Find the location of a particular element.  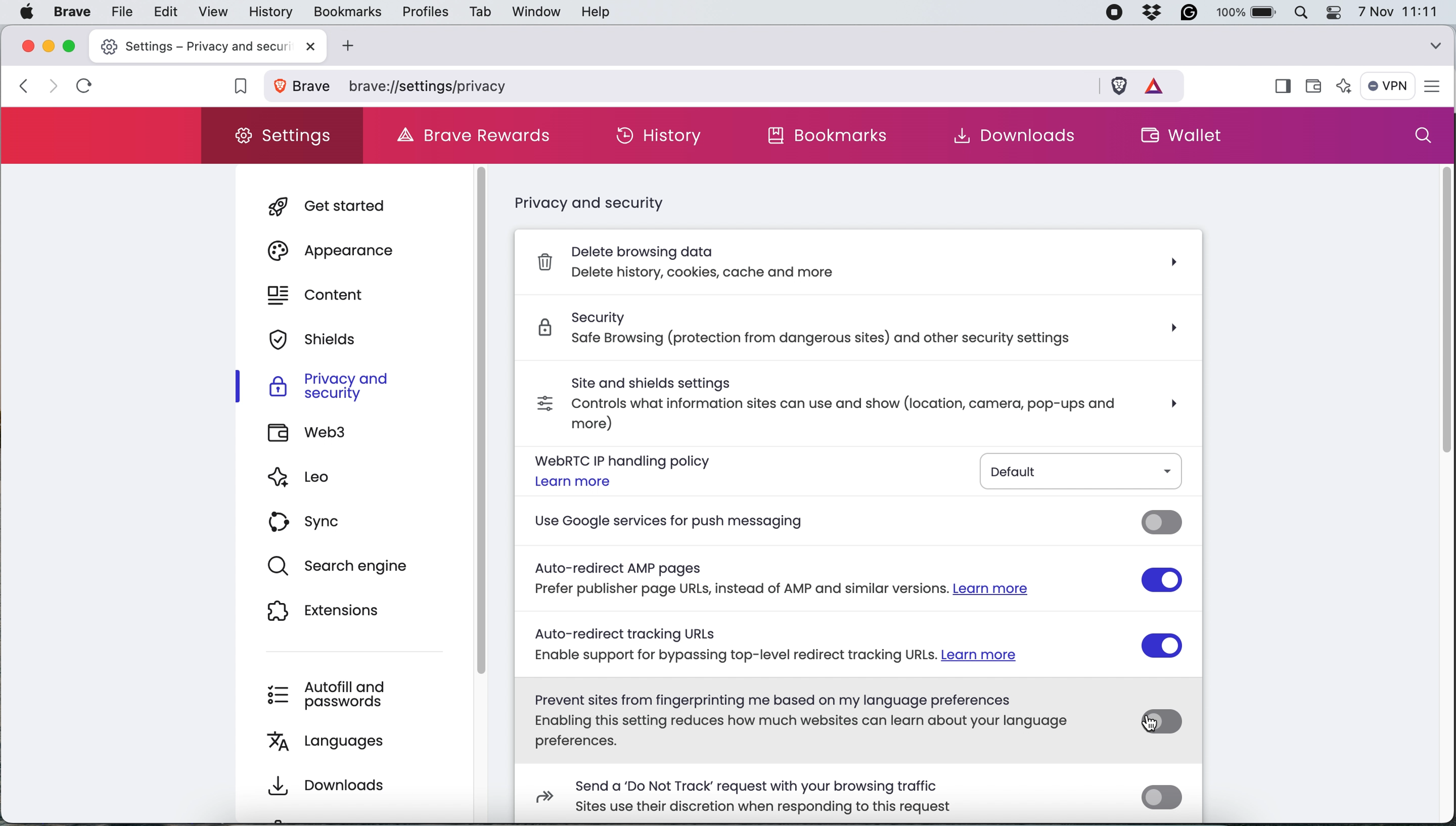

sync is located at coordinates (310, 522).